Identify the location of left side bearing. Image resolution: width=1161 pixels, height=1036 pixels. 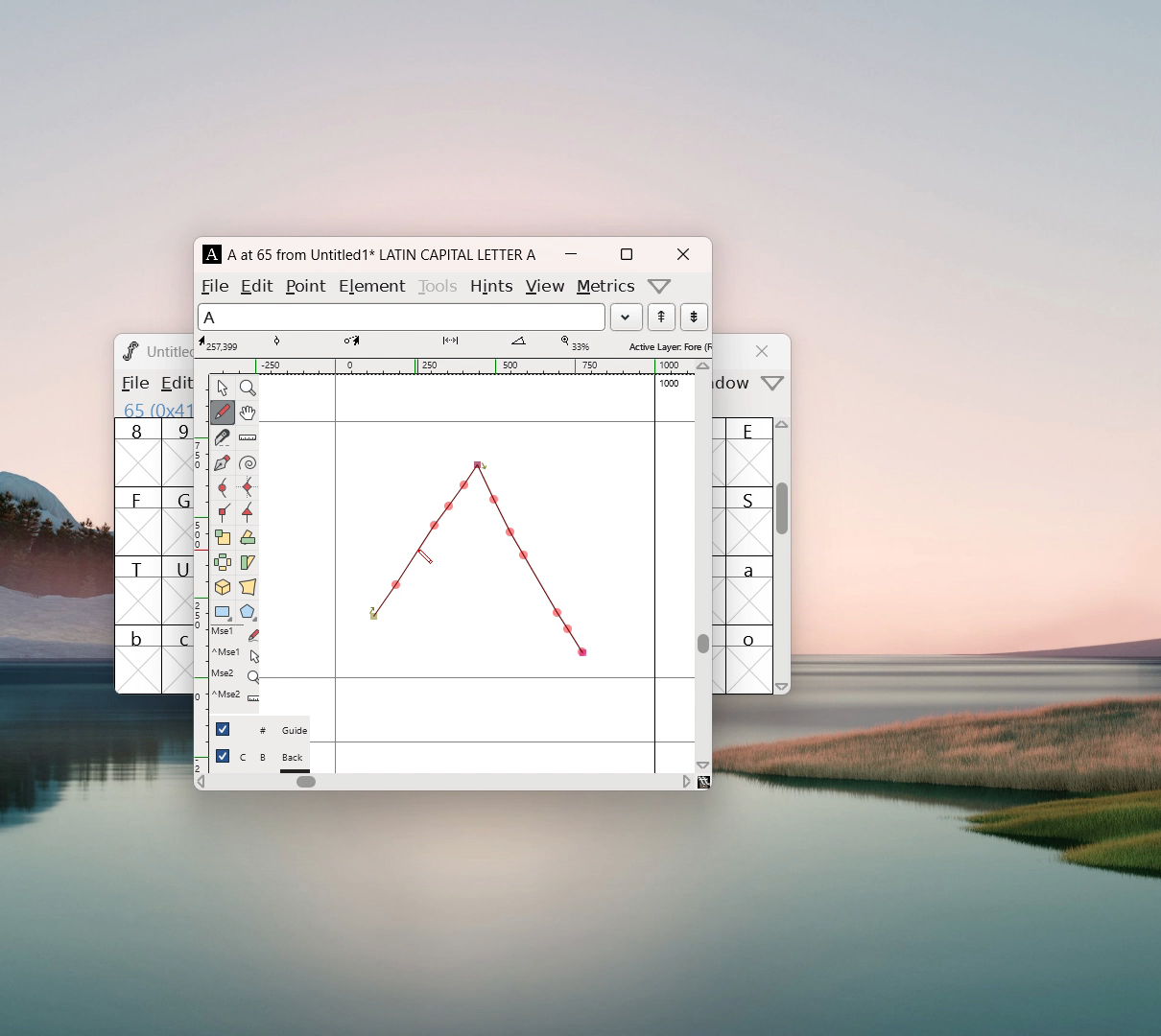
(336, 573).